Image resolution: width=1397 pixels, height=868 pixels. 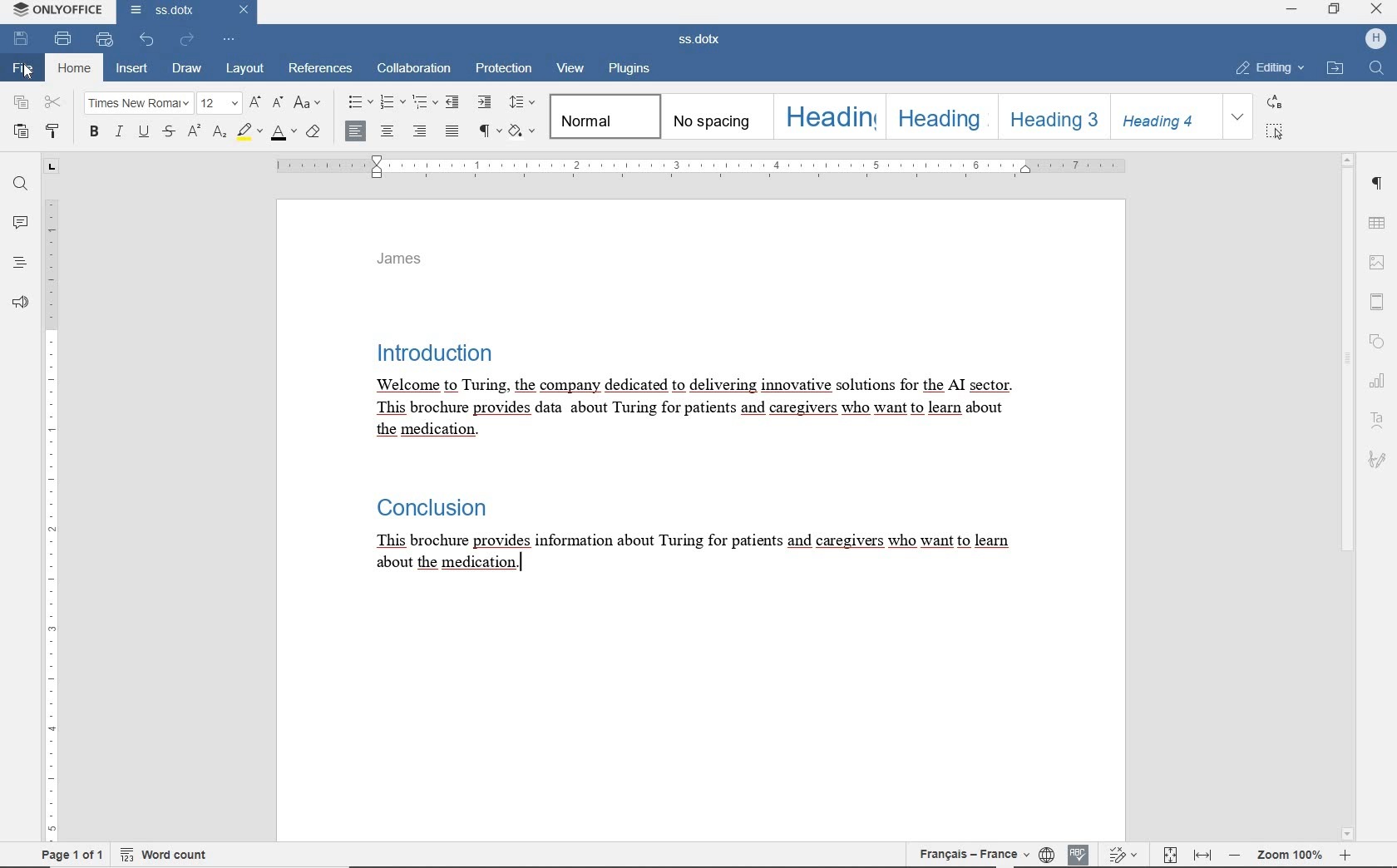 What do you see at coordinates (168, 133) in the screenshot?
I see `SRIKETHROUGH` at bounding box center [168, 133].